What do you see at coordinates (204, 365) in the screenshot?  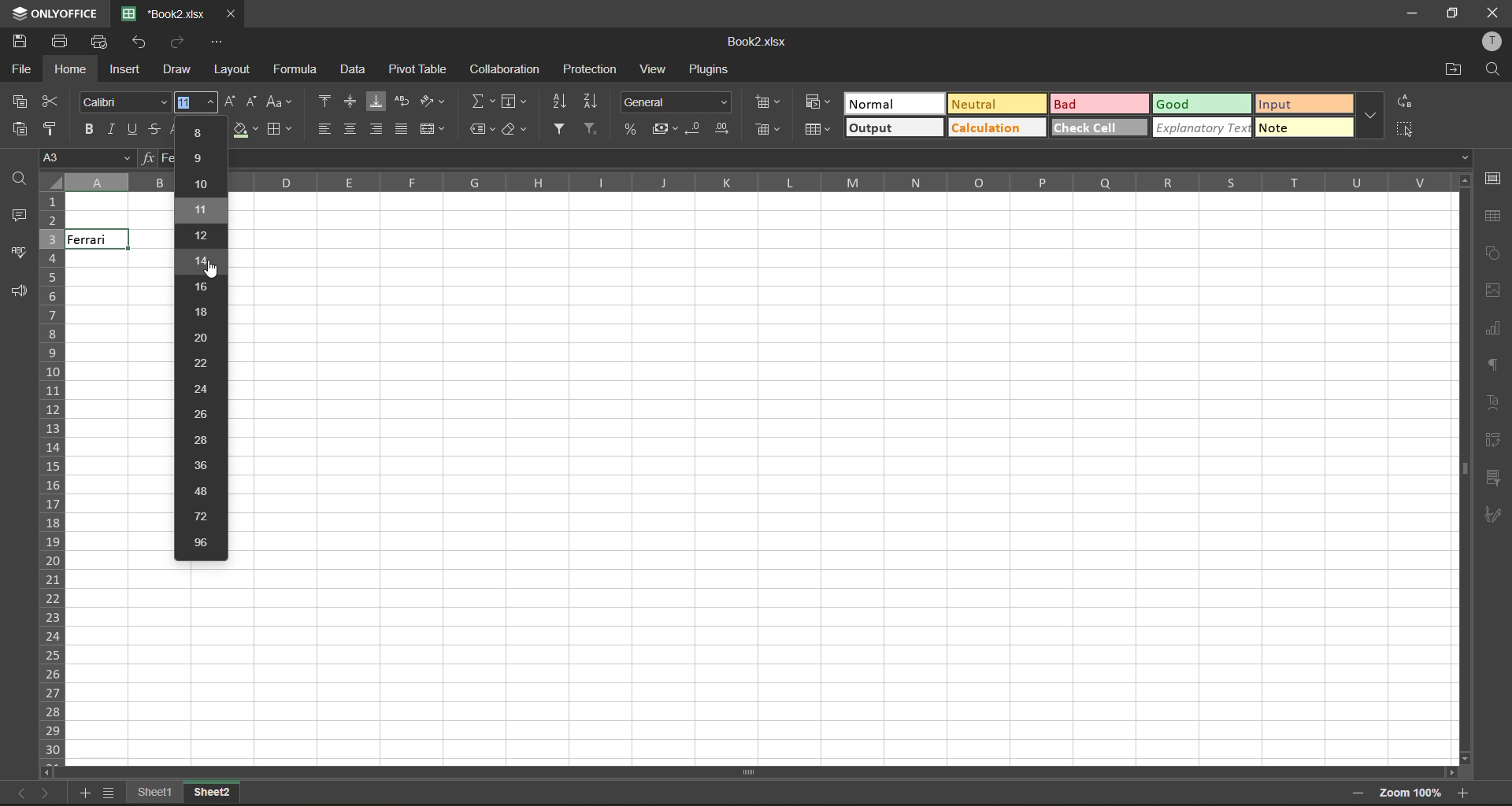 I see `22` at bounding box center [204, 365].